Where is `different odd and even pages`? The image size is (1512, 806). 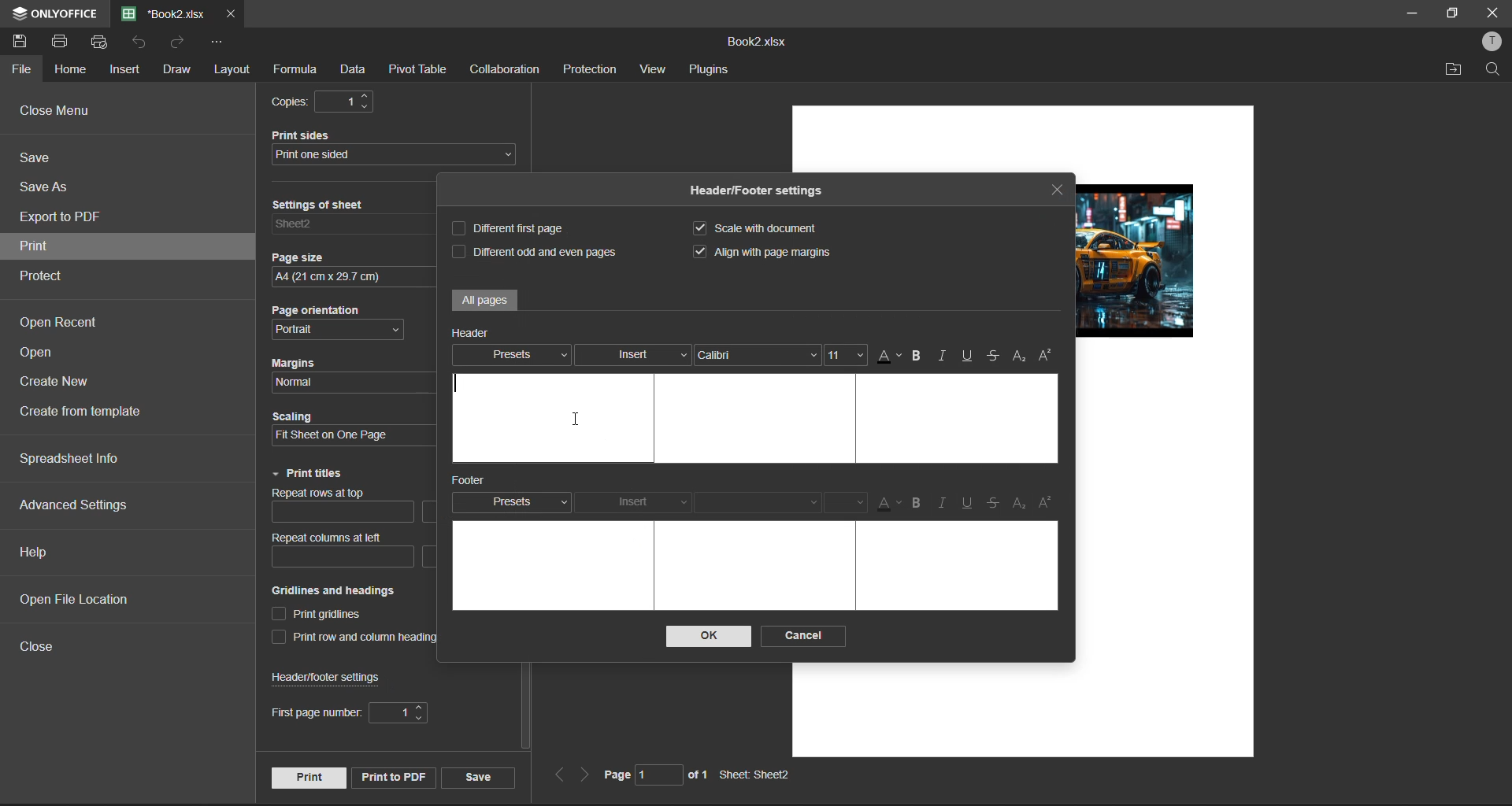
different odd and even pages is located at coordinates (533, 250).